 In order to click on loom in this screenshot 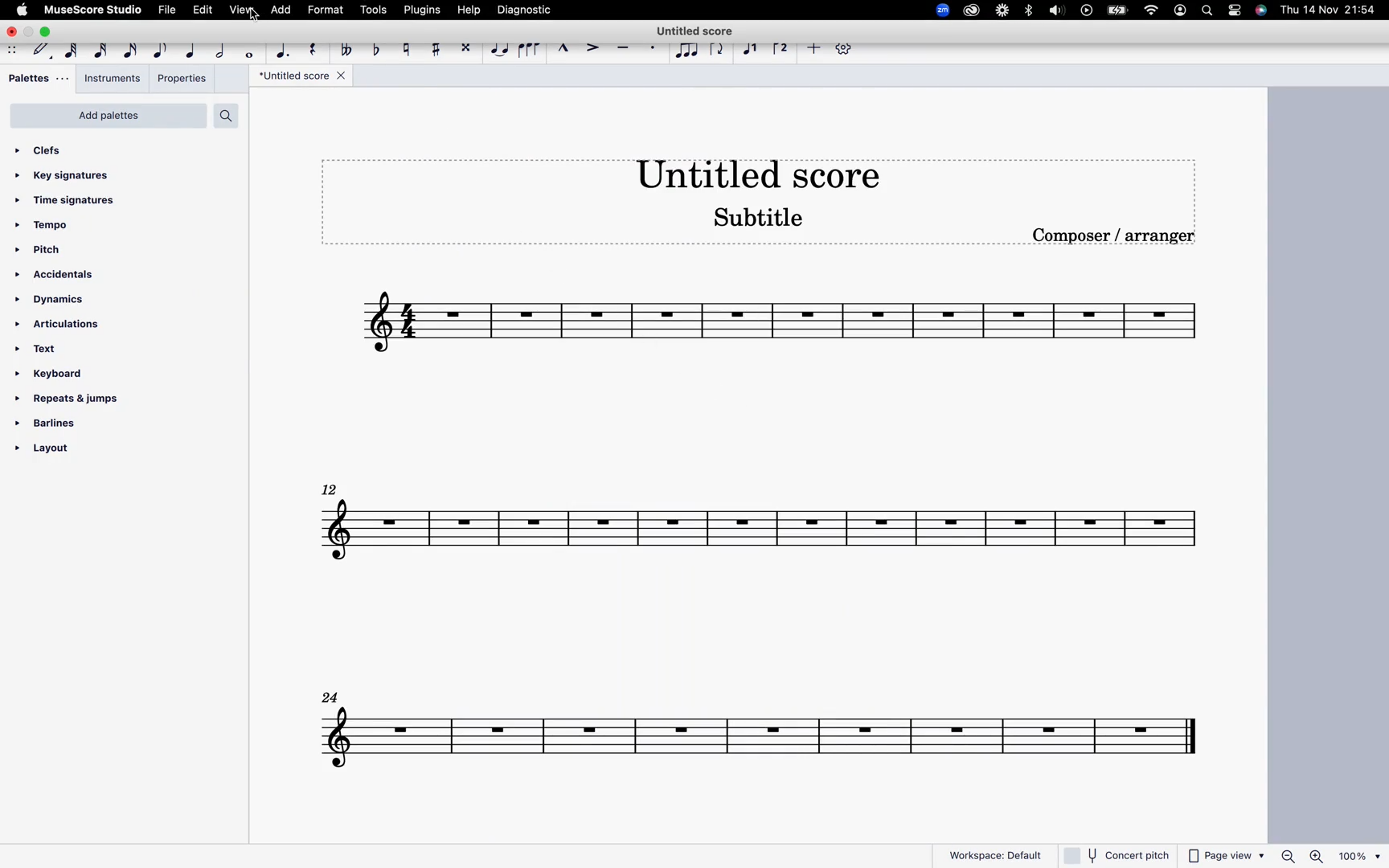, I will do `click(1002, 12)`.